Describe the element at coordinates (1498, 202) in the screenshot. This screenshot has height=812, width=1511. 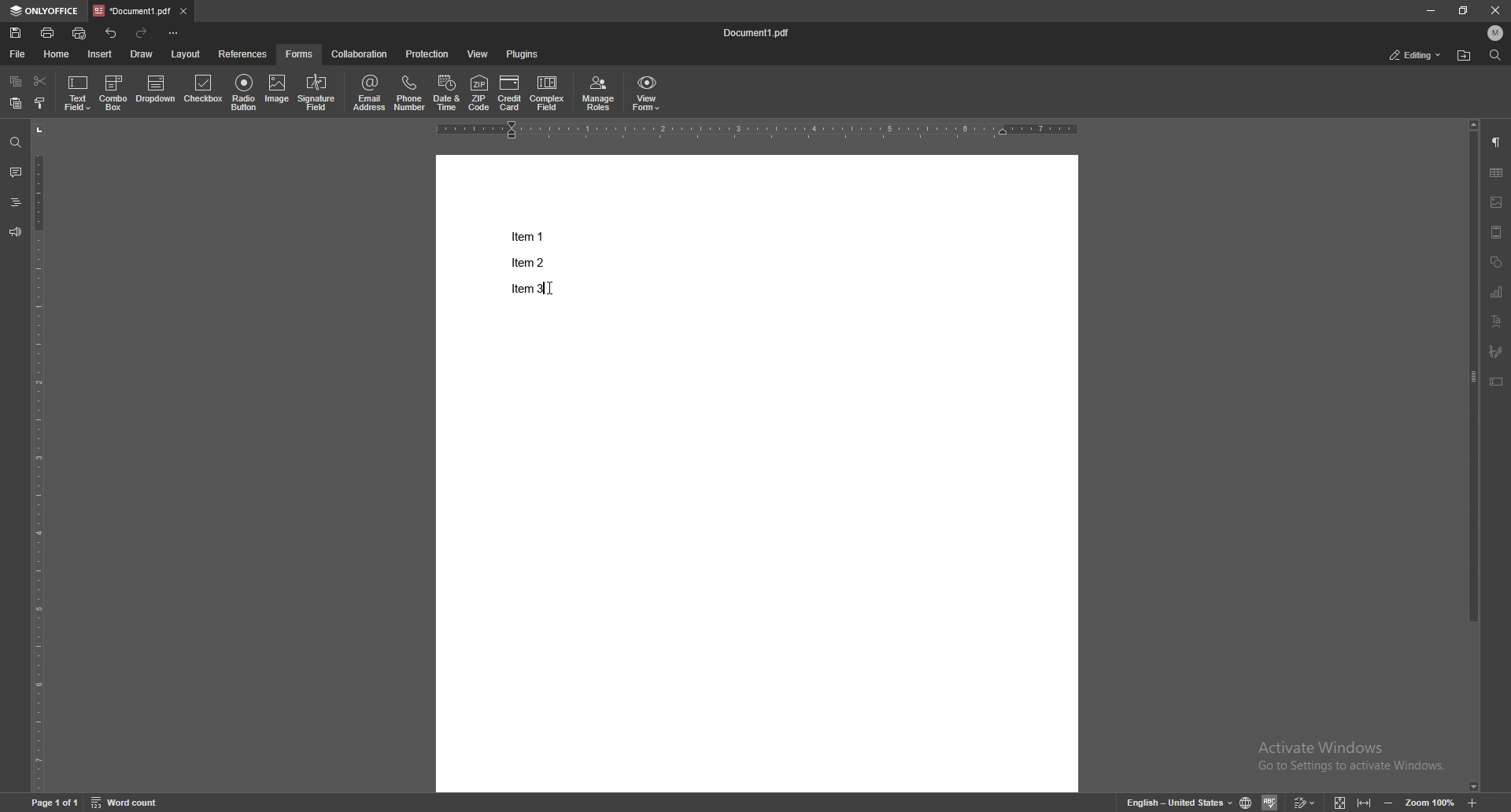
I see `image` at that location.